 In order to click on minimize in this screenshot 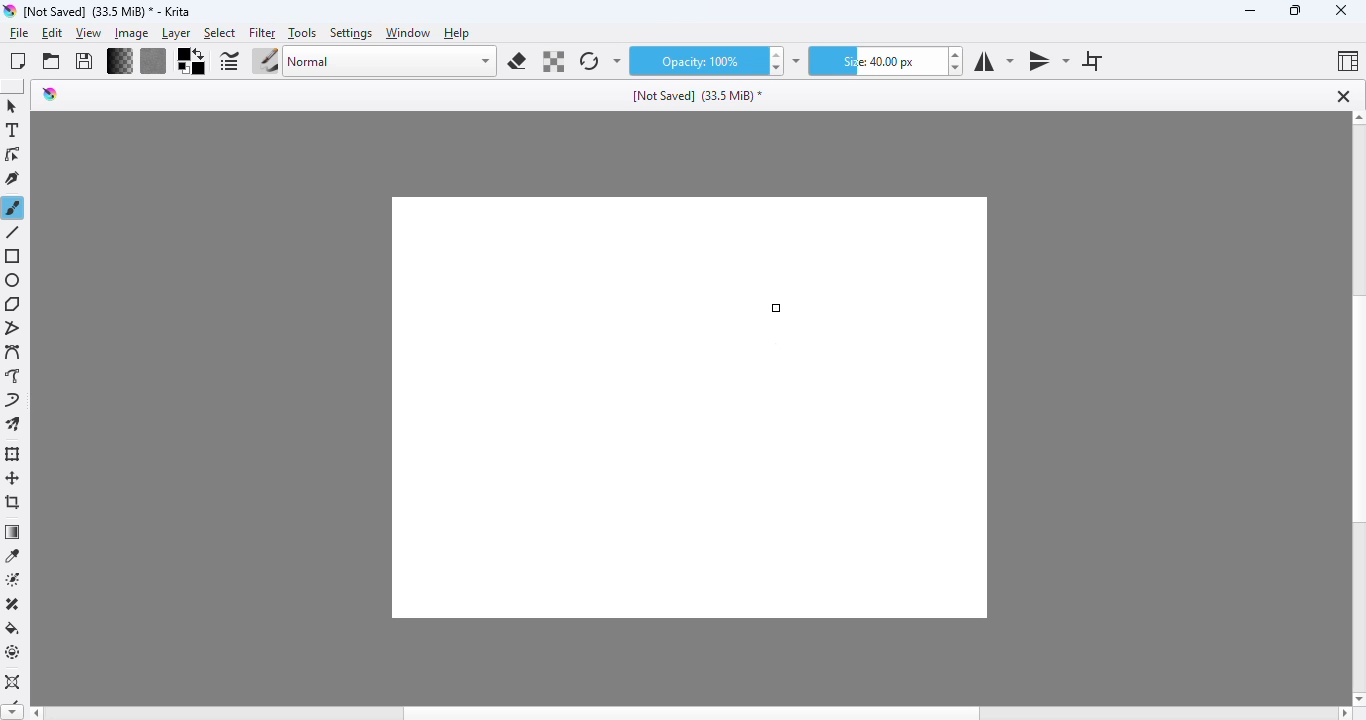, I will do `click(1252, 11)`.